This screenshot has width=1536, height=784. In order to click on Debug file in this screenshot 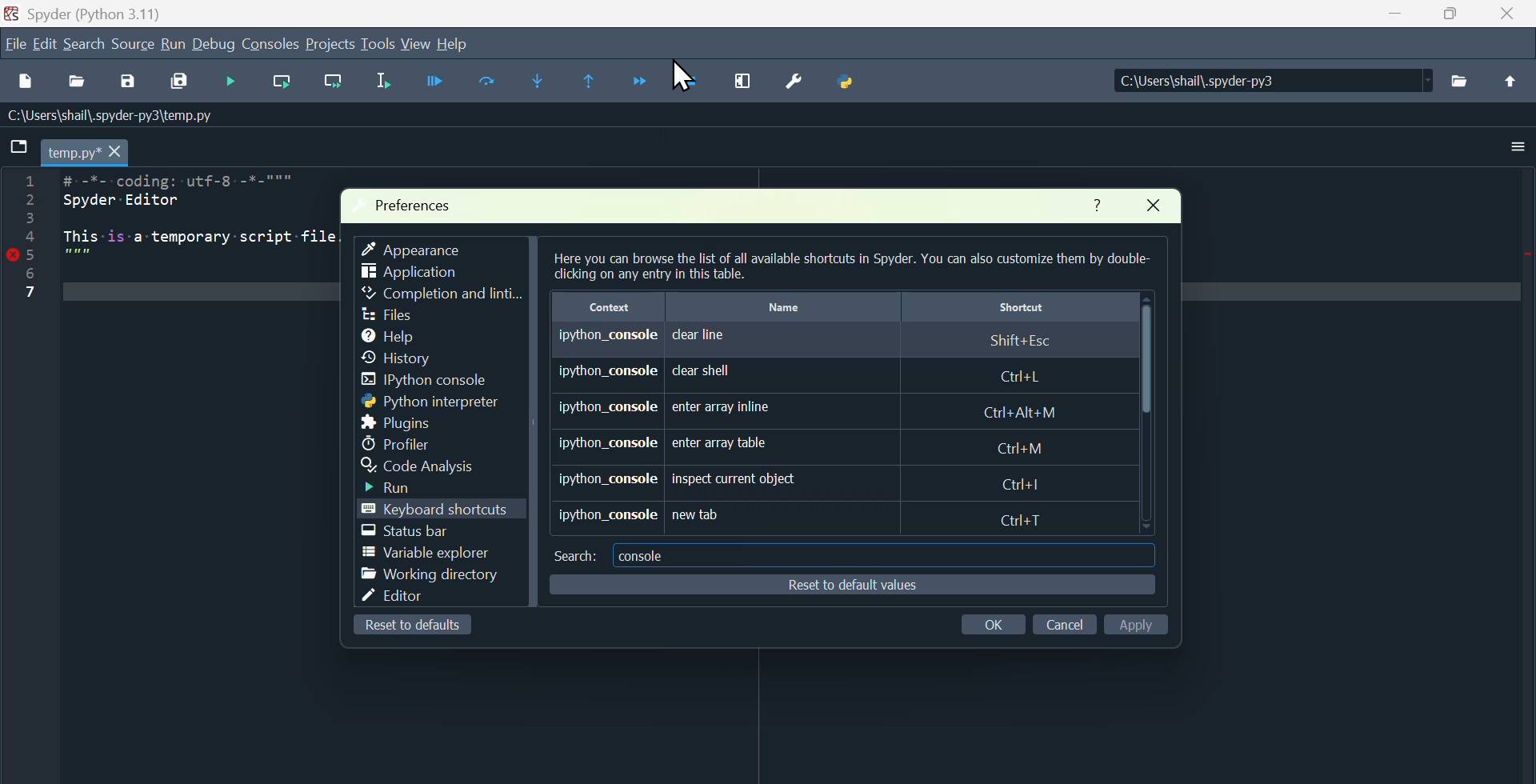, I will do `click(234, 83)`.